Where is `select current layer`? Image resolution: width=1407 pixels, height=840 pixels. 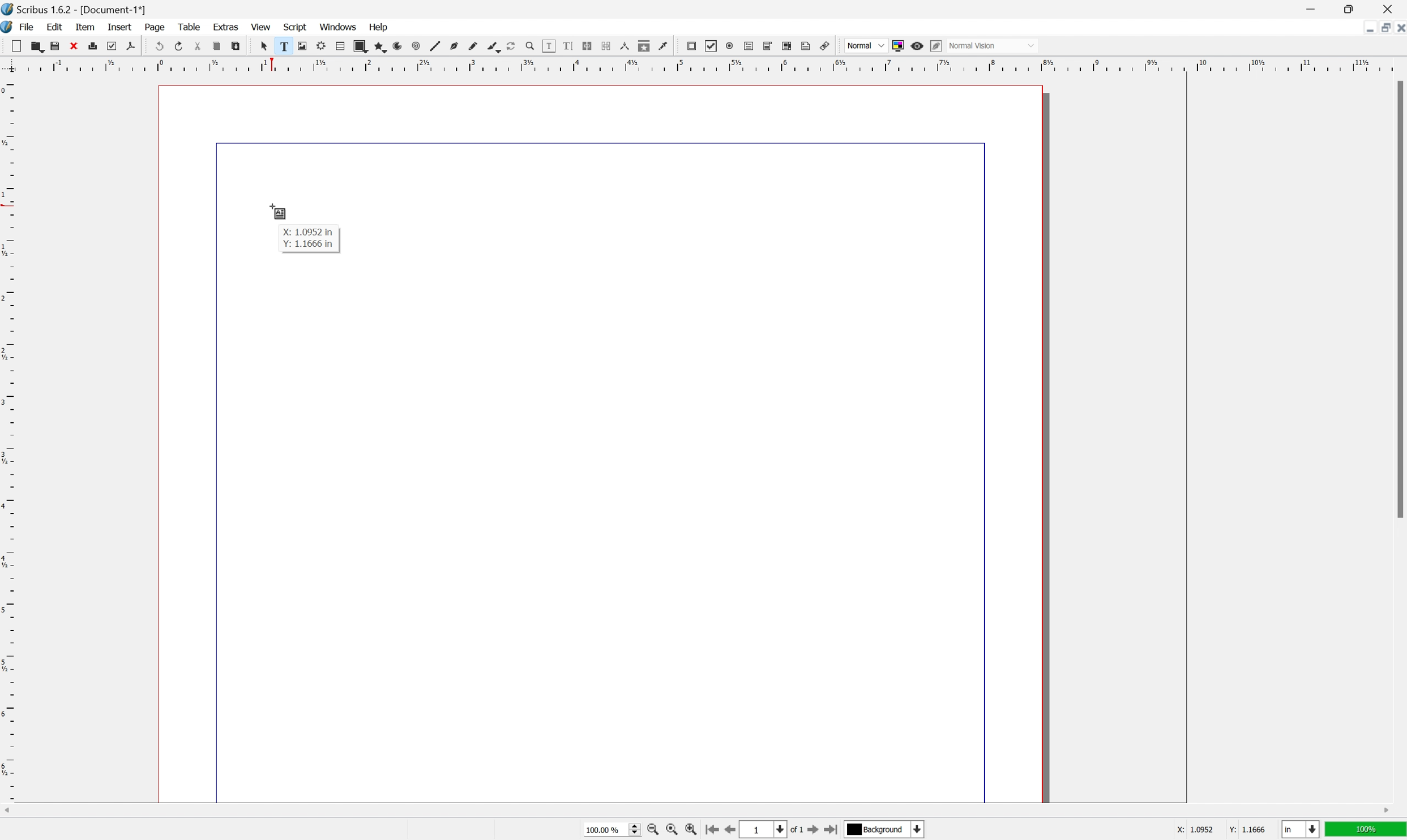
select current layer is located at coordinates (885, 830).